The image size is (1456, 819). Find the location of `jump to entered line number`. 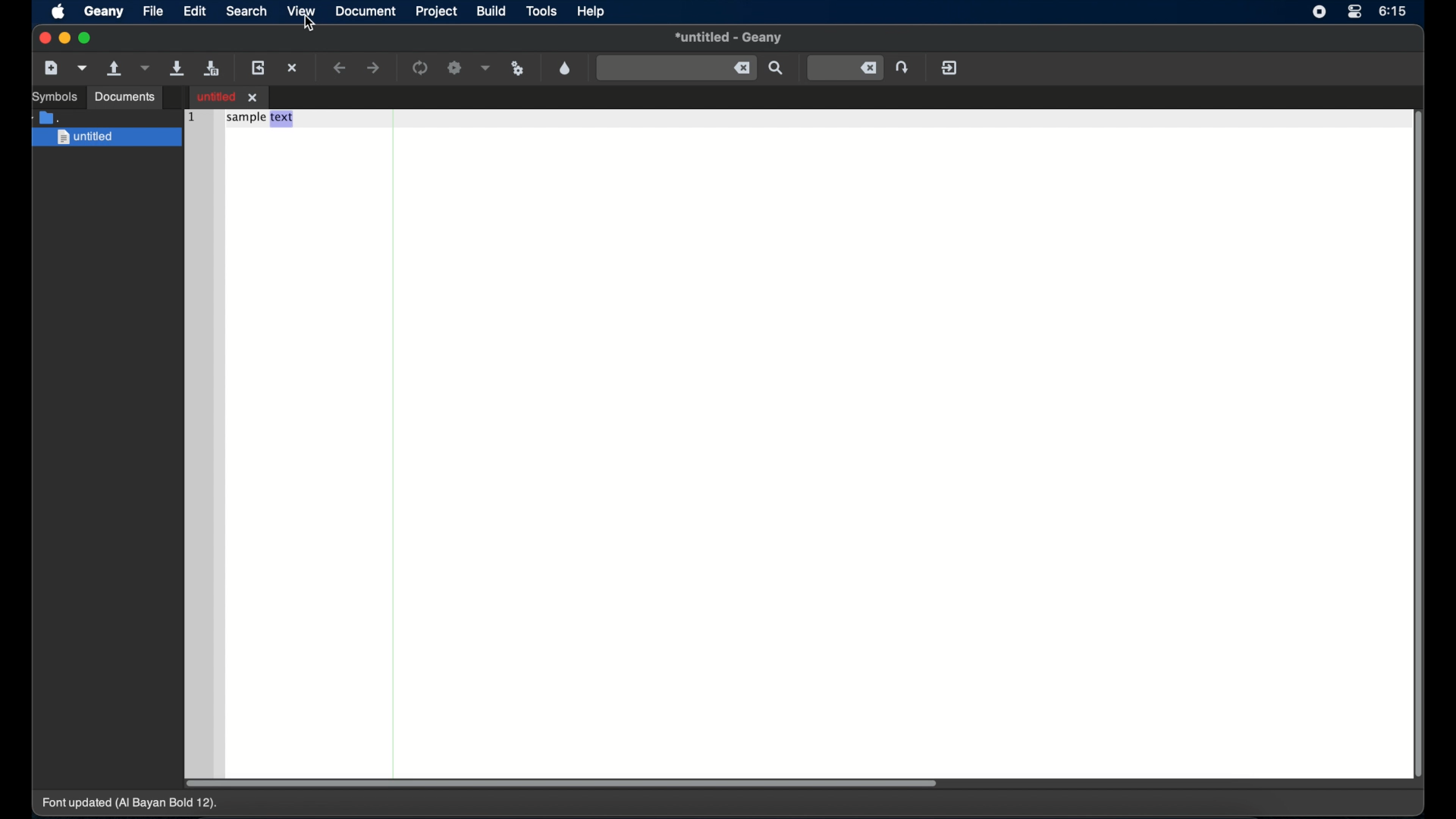

jump to entered line number is located at coordinates (905, 67).